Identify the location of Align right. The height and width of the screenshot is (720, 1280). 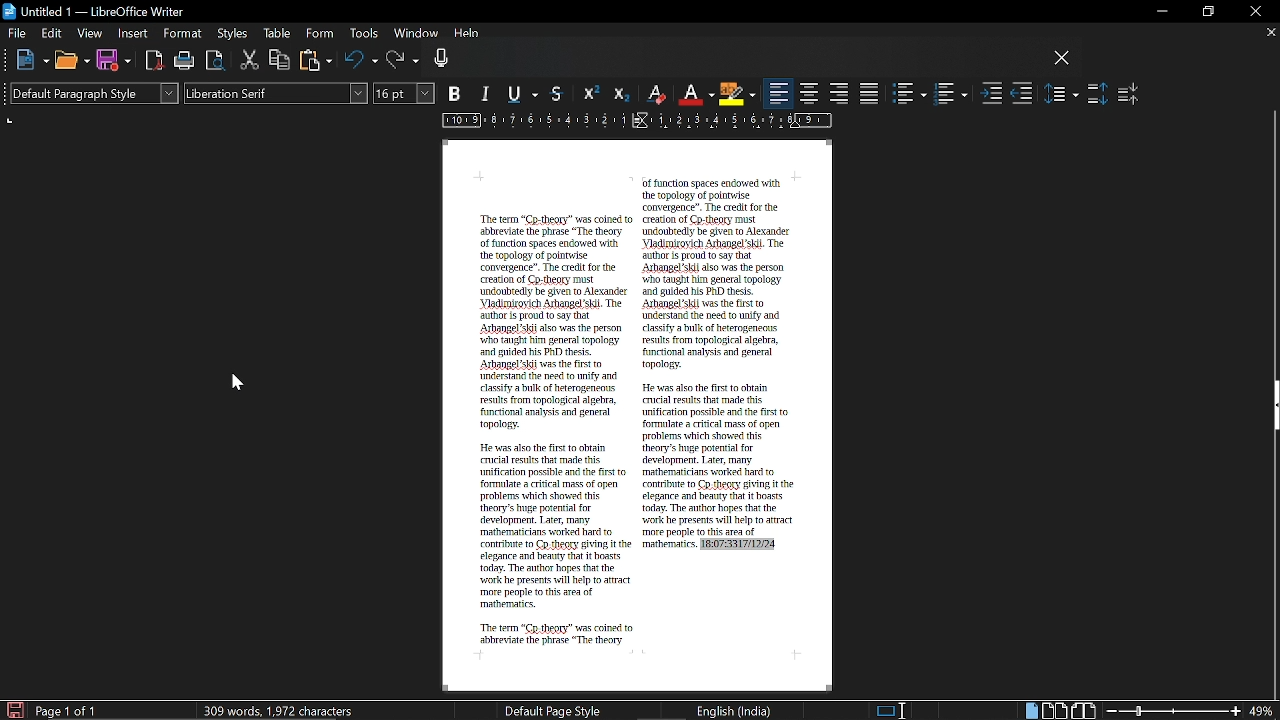
(840, 92).